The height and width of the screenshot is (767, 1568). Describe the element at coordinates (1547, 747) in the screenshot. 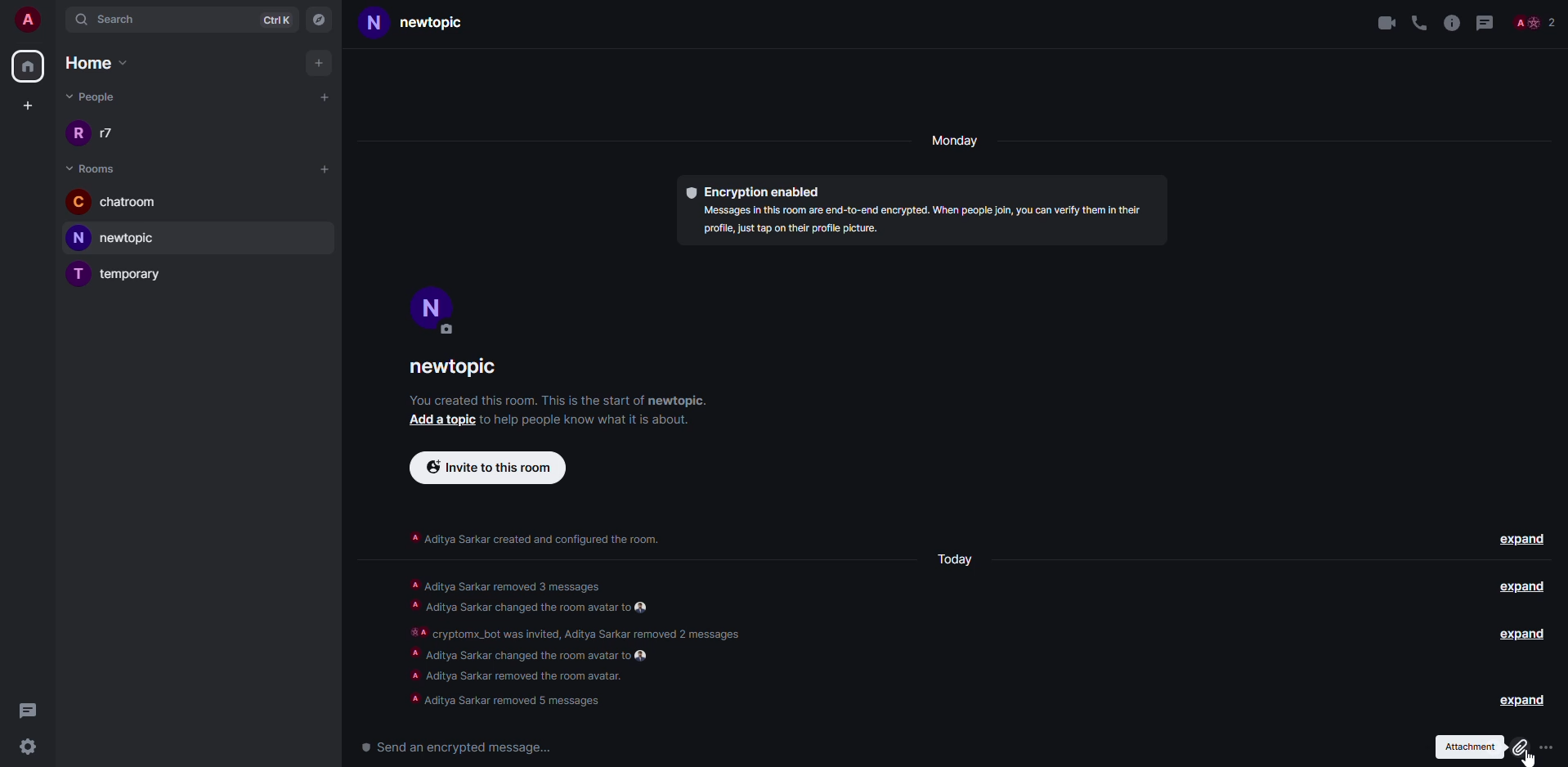

I see `more` at that location.